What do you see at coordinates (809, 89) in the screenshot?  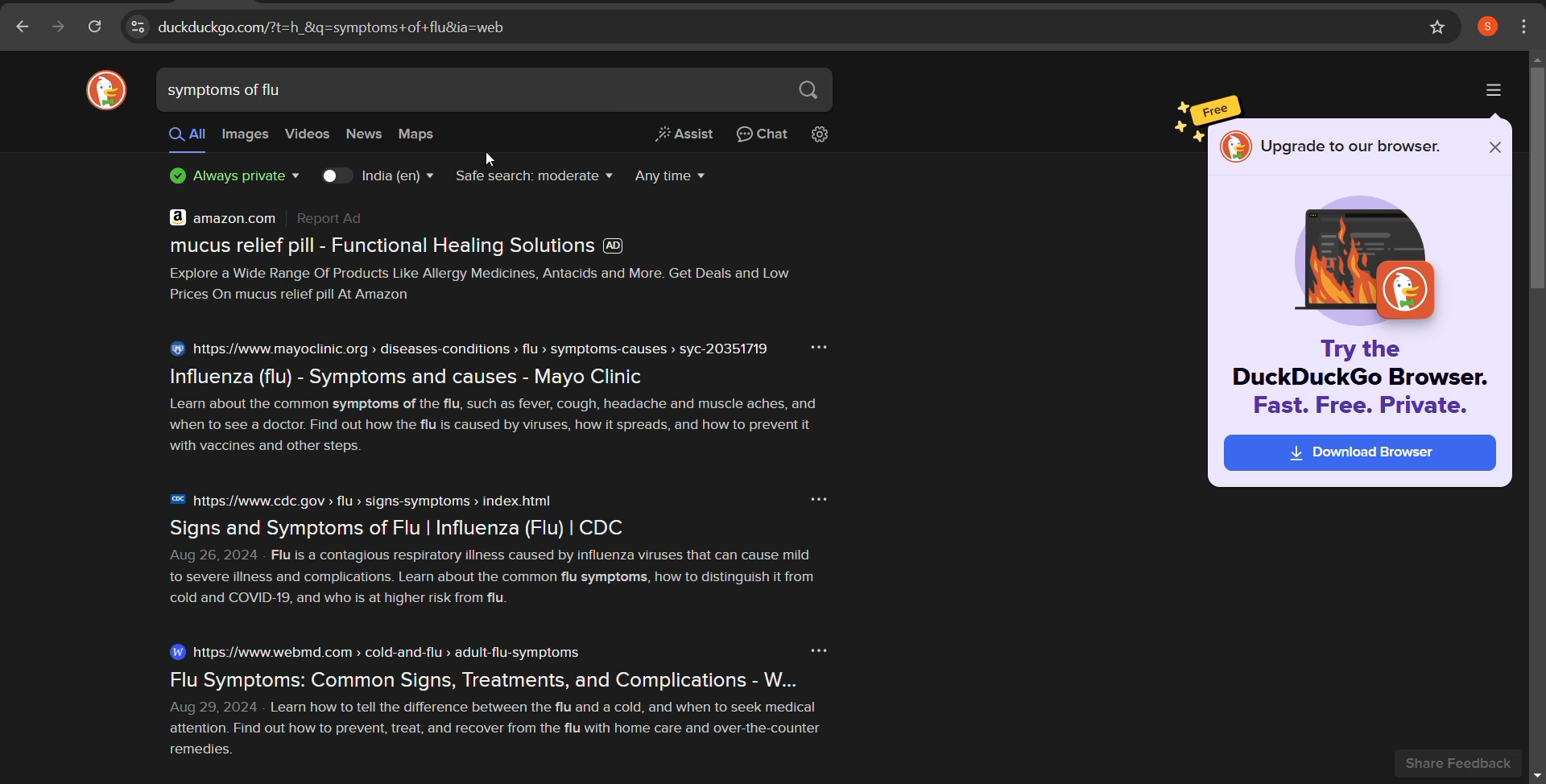 I see `search button` at bounding box center [809, 89].